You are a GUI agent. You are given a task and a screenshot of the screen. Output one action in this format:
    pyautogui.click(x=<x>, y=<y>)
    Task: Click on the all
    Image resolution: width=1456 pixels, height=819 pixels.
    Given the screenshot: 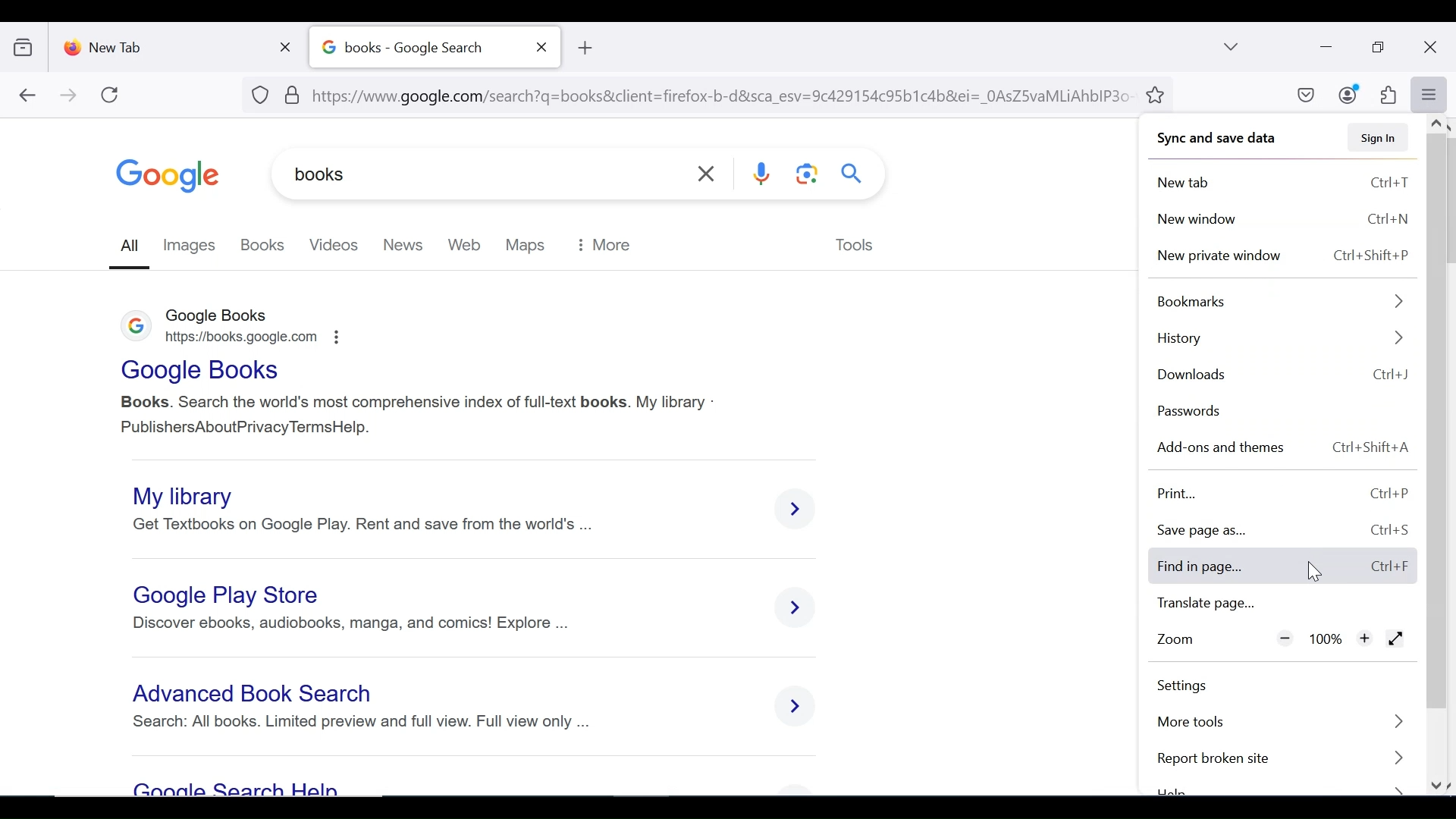 What is the action you would take?
    pyautogui.click(x=131, y=246)
    